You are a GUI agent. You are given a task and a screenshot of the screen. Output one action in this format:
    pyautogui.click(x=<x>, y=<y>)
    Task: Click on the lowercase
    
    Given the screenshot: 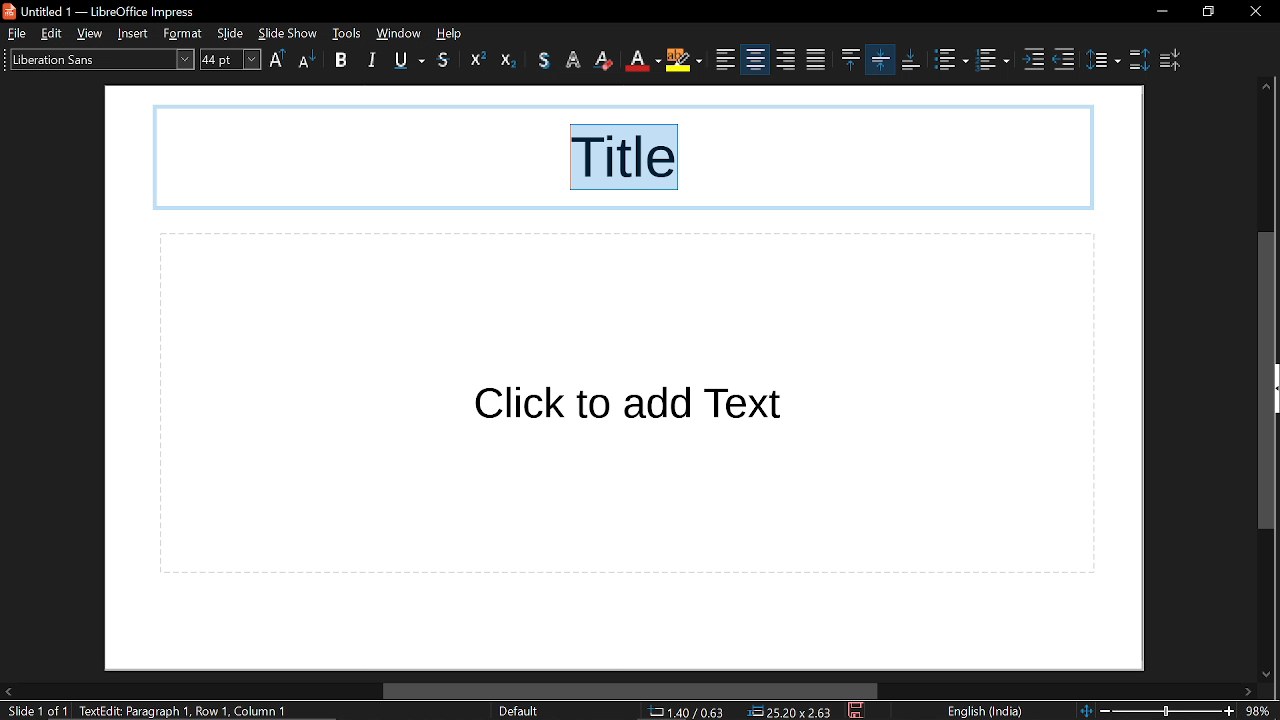 What is the action you would take?
    pyautogui.click(x=306, y=62)
    